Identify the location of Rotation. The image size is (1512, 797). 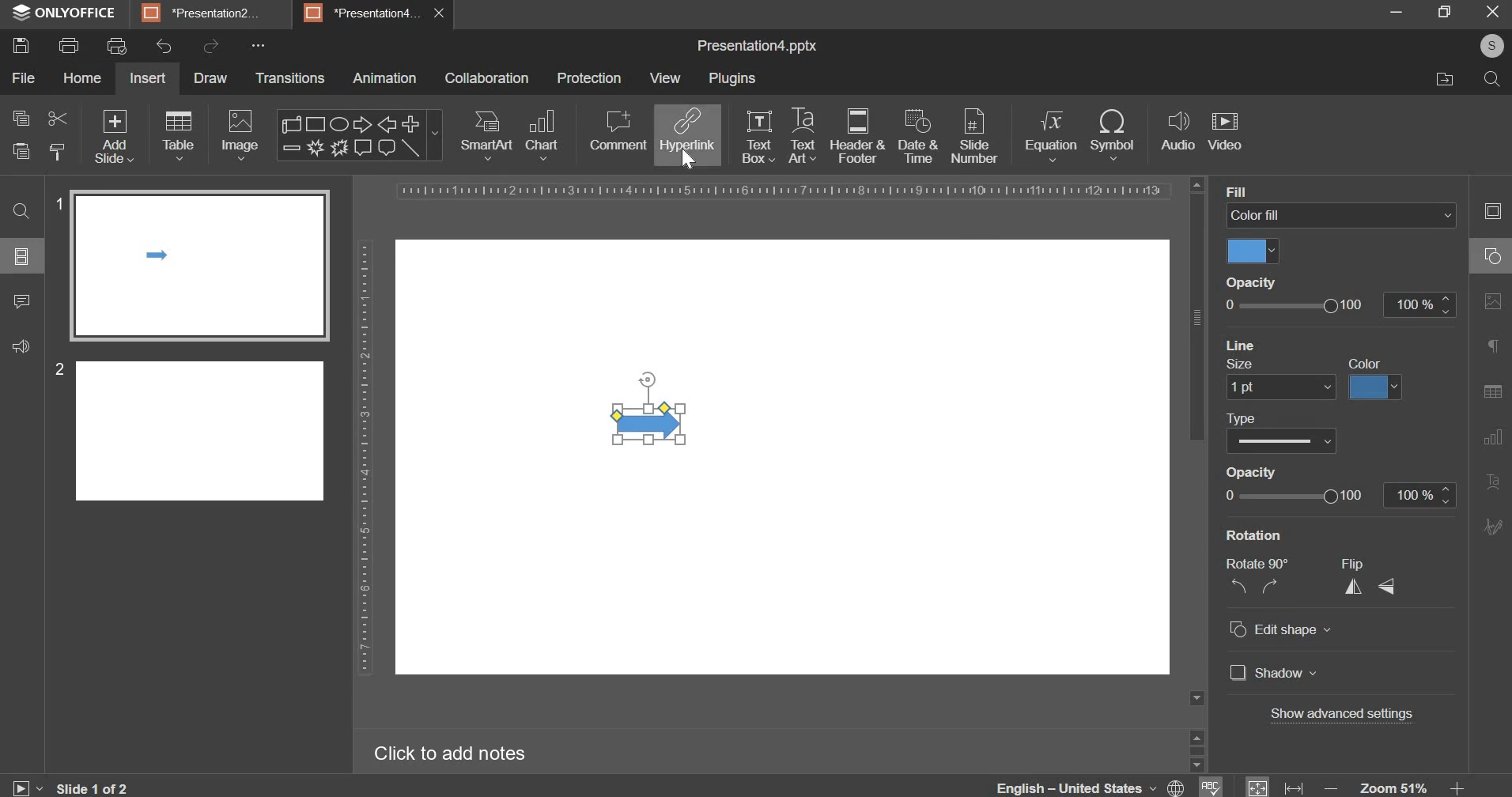
(1258, 536).